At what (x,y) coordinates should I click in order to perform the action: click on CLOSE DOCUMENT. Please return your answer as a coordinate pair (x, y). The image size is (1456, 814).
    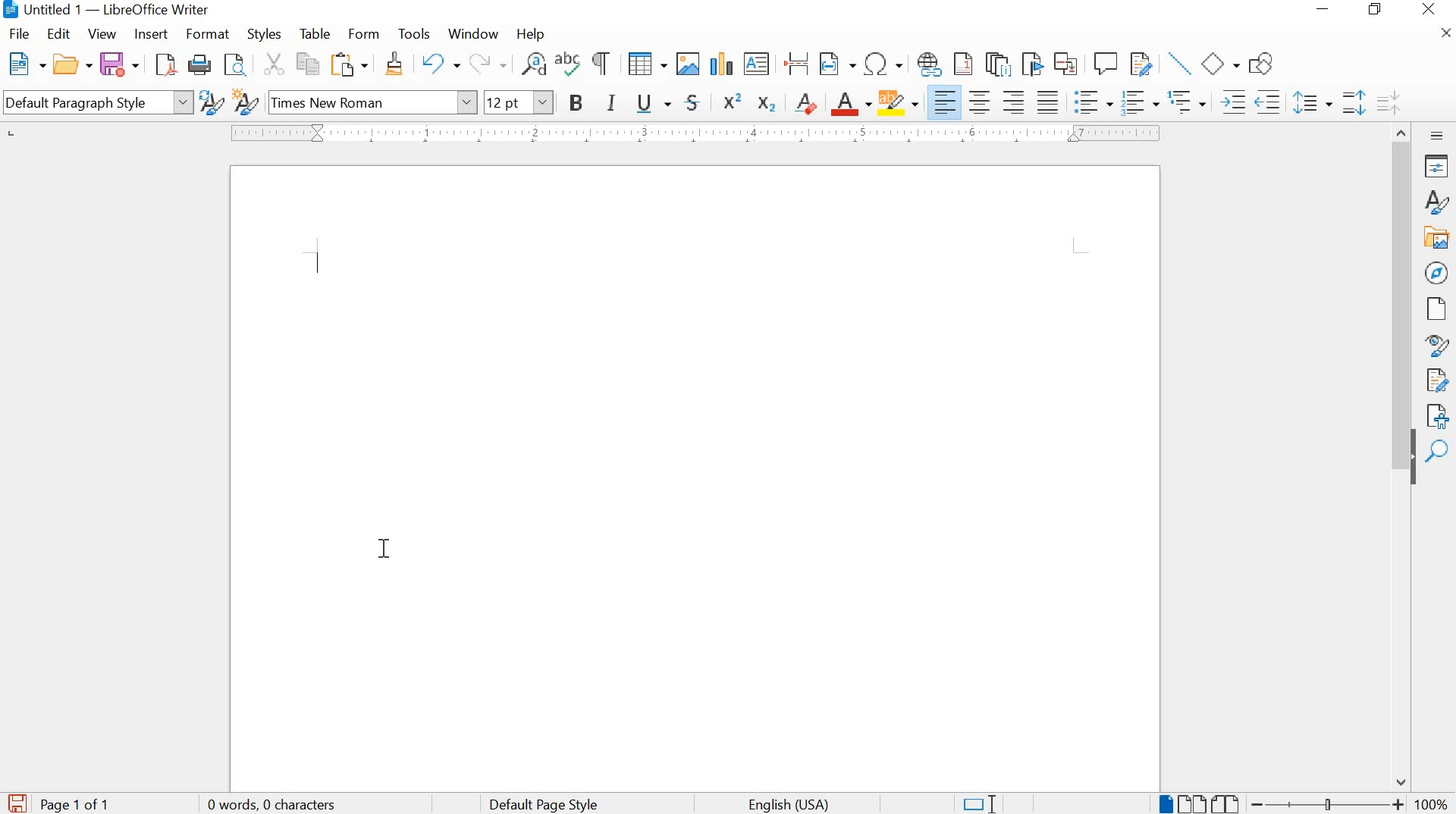
    Looking at the image, I should click on (1444, 33).